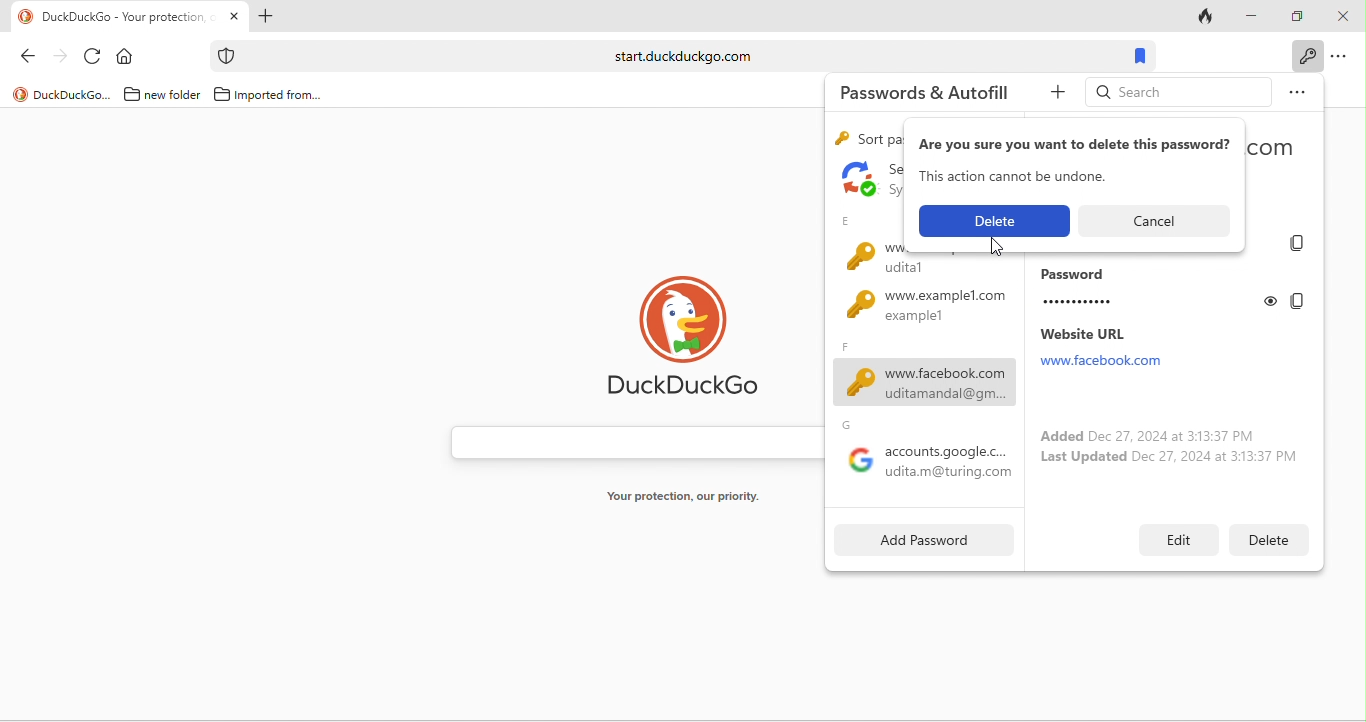  What do you see at coordinates (694, 341) in the screenshot?
I see `duck duck go logo` at bounding box center [694, 341].